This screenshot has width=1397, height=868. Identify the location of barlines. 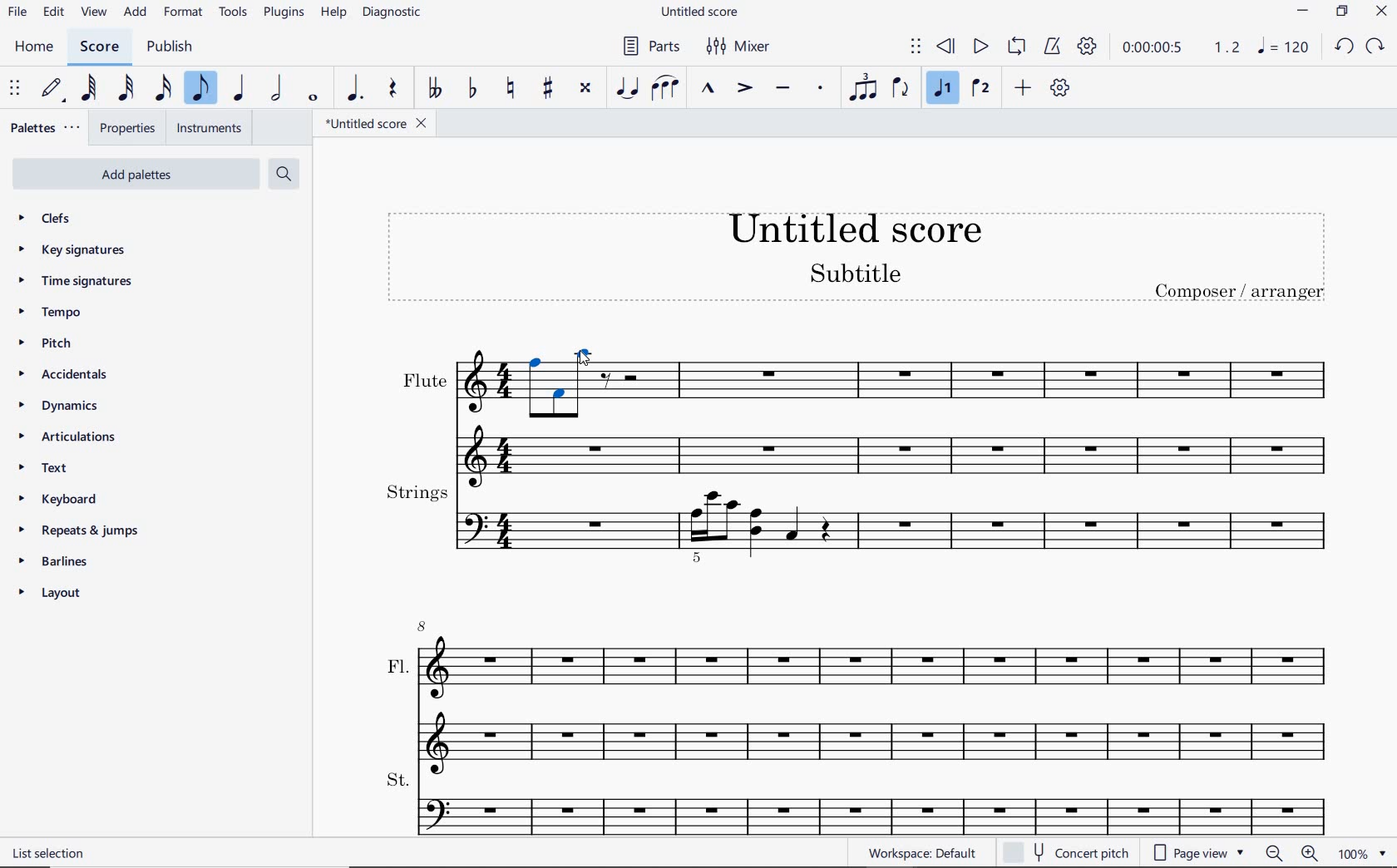
(54, 560).